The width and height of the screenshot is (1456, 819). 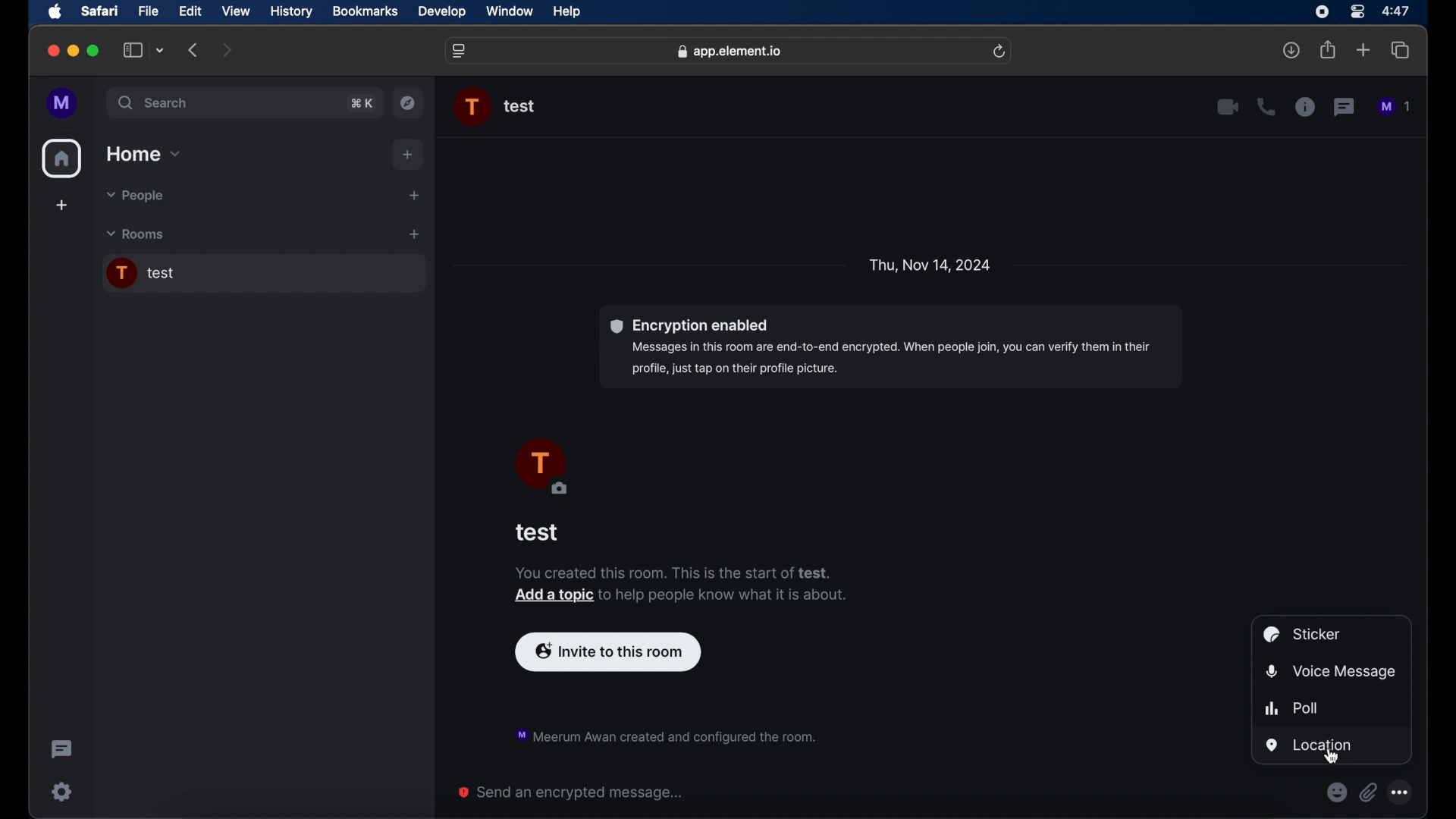 I want to click on start a new chat, so click(x=414, y=195).